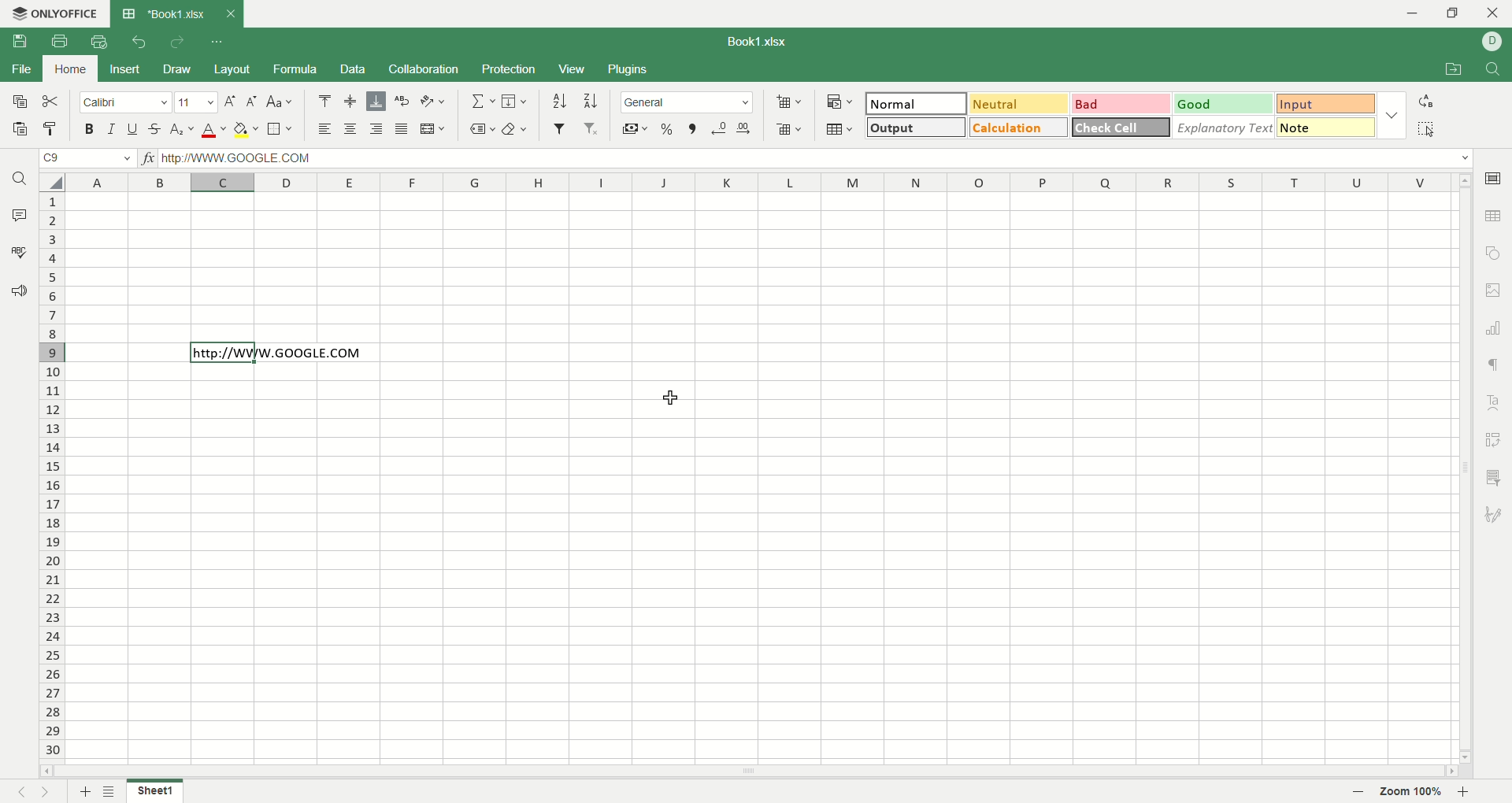 This screenshot has height=803, width=1512. What do you see at coordinates (350, 100) in the screenshot?
I see `align middle` at bounding box center [350, 100].